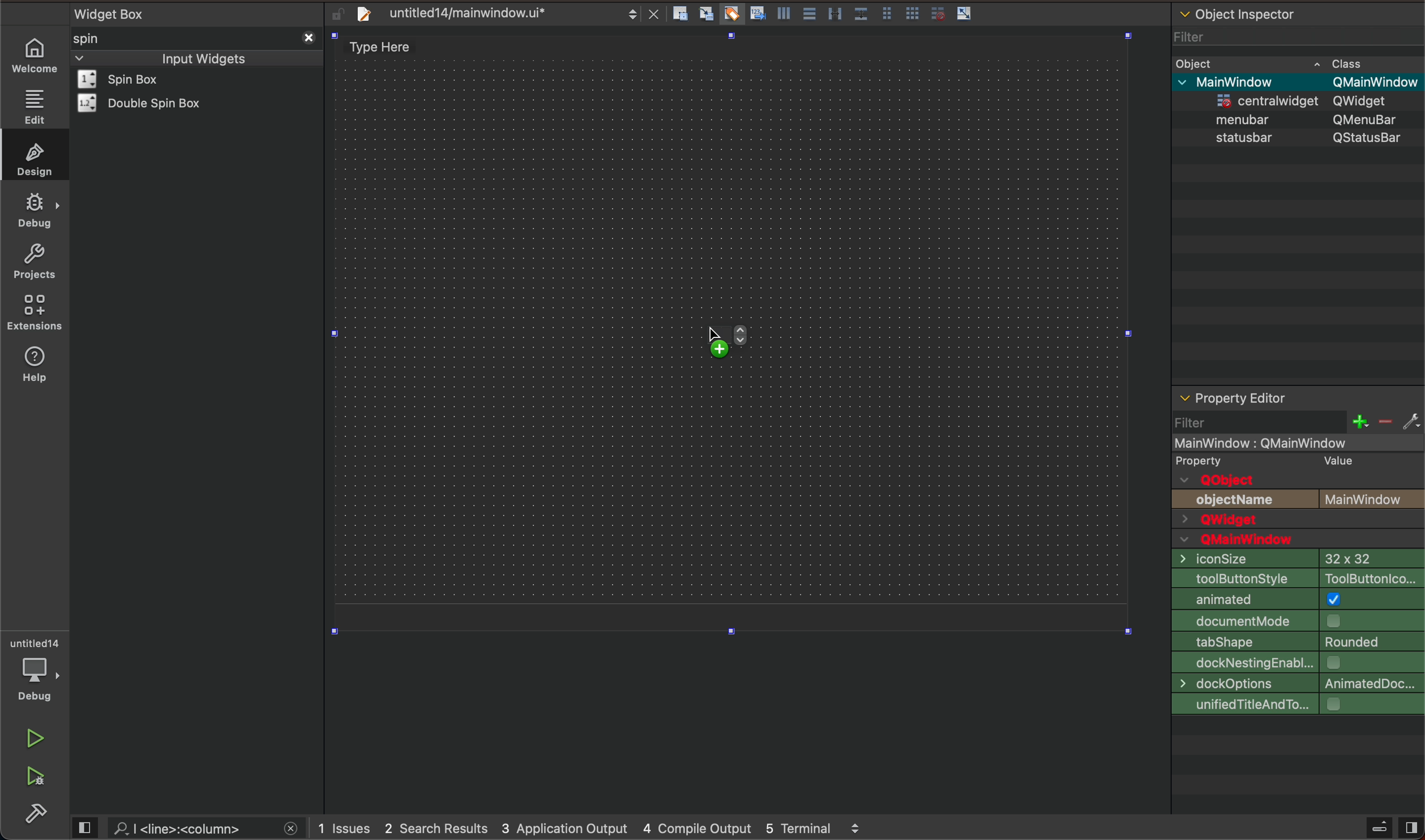  I want to click on close sidebar, so click(1392, 828).